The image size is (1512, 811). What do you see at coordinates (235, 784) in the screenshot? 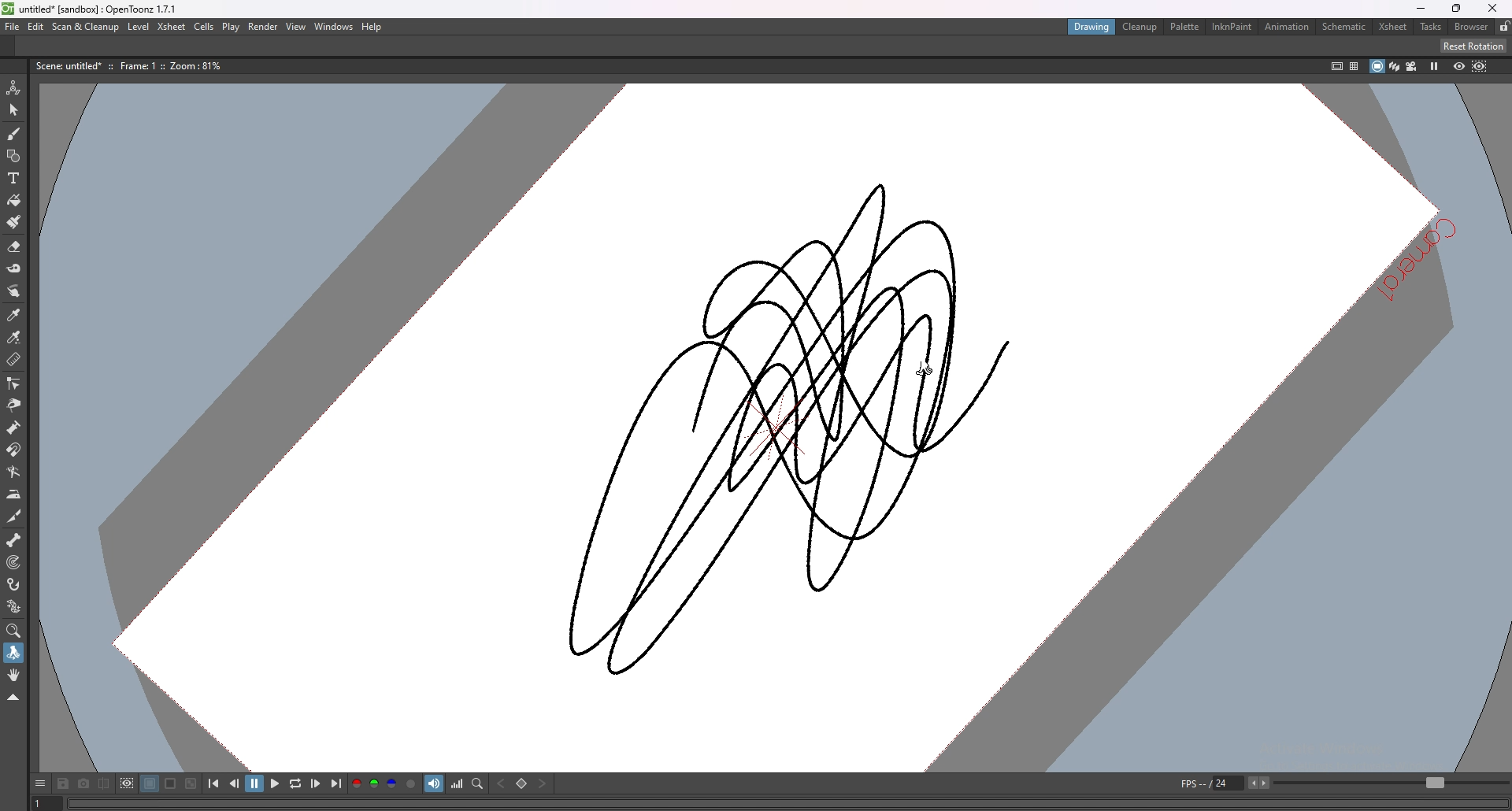
I see `previous frame` at bounding box center [235, 784].